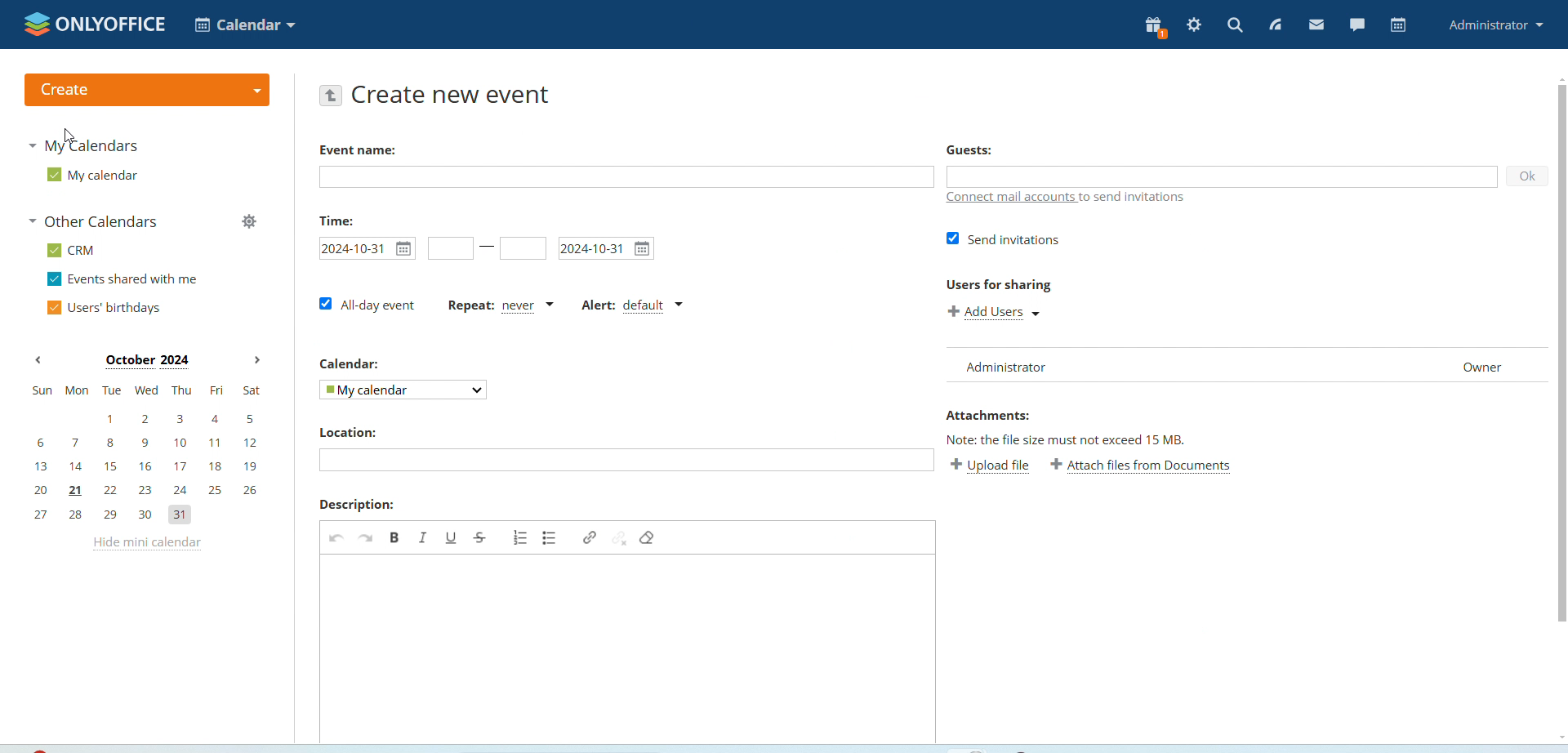 The height and width of the screenshot is (753, 1568). Describe the element at coordinates (152, 360) in the screenshot. I see `October 2024` at that location.